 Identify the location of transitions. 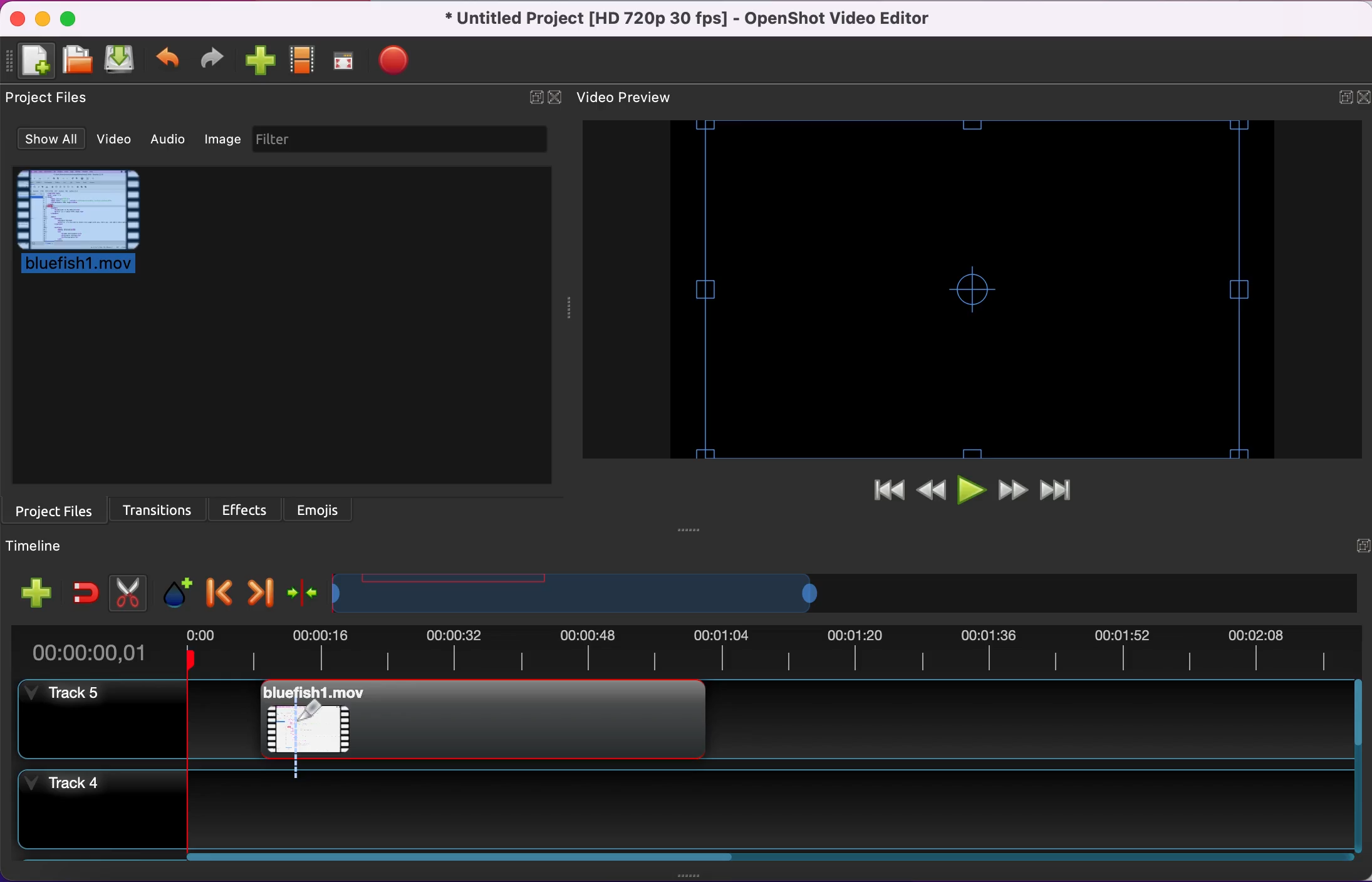
(156, 509).